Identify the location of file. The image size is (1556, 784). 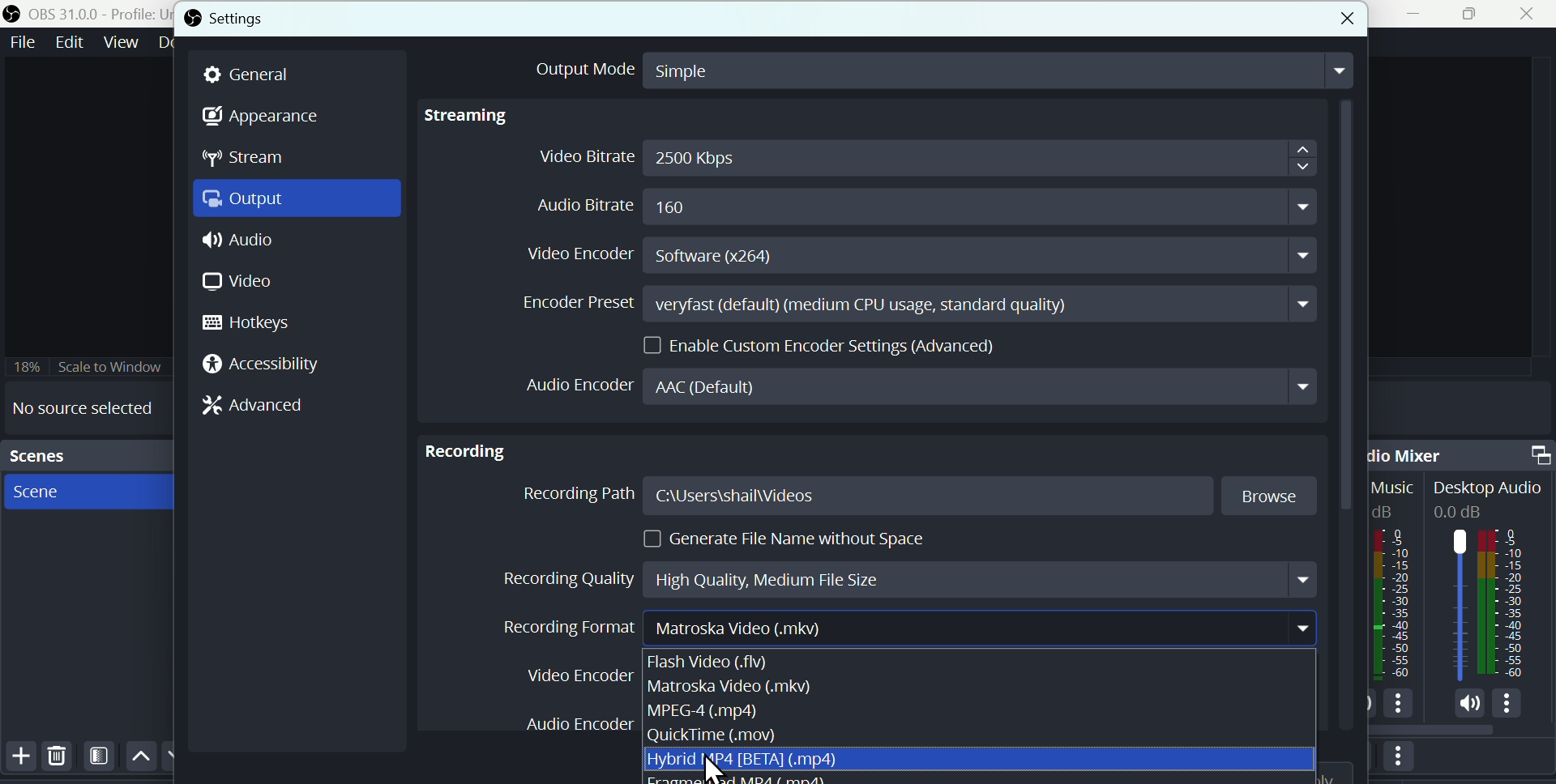
(21, 47).